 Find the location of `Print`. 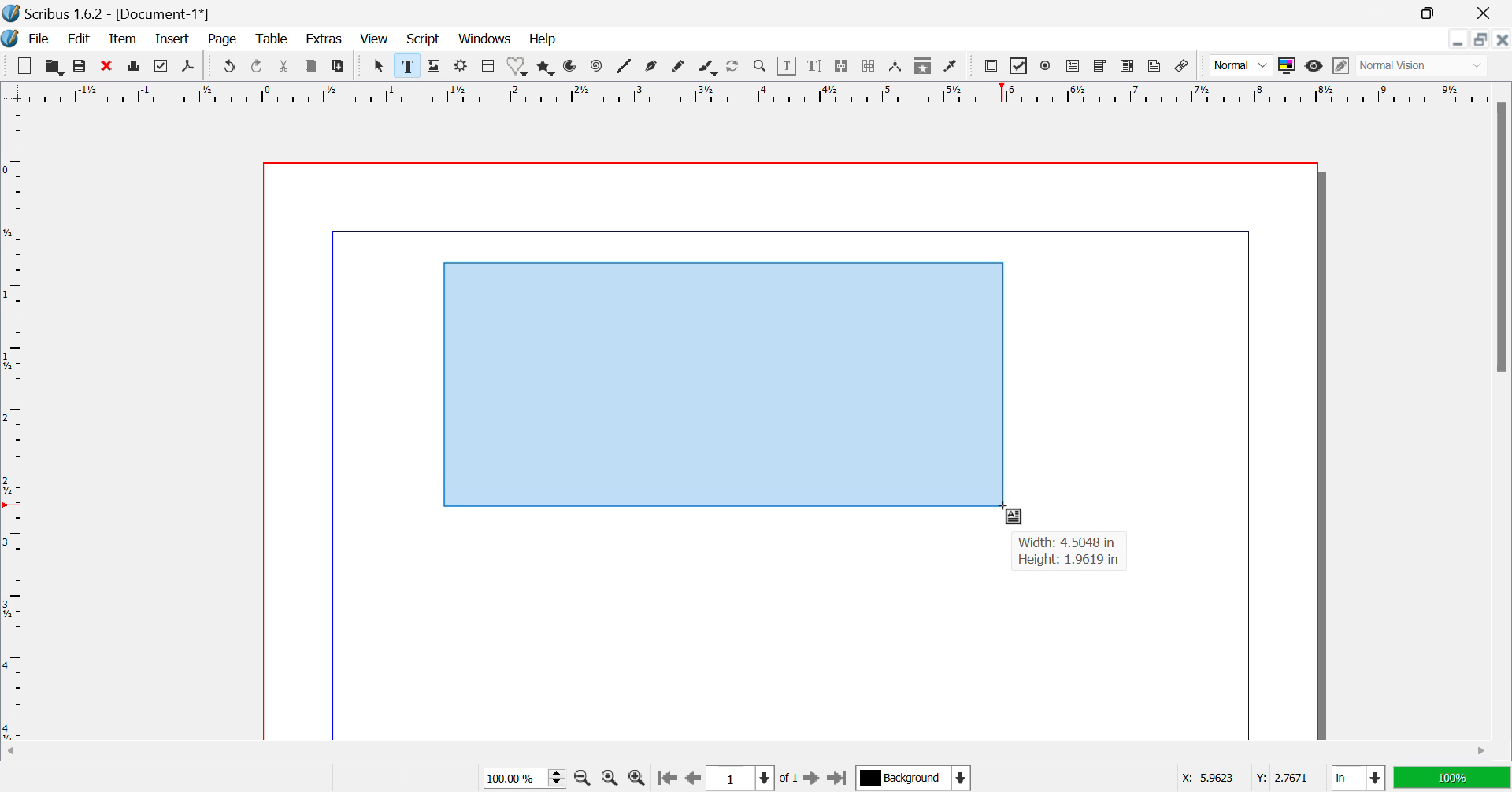

Print is located at coordinates (134, 68).